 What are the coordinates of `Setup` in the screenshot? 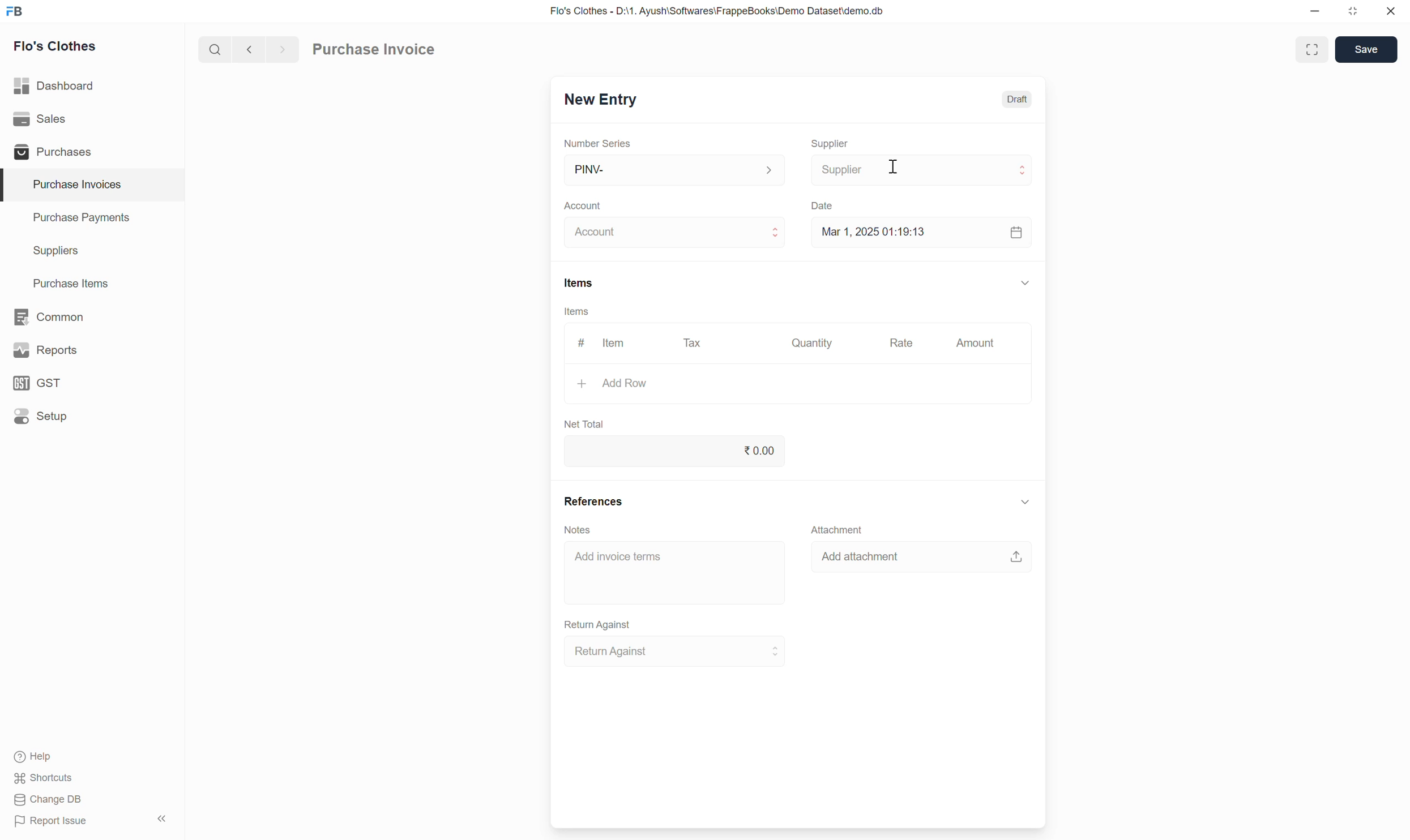 It's located at (41, 417).